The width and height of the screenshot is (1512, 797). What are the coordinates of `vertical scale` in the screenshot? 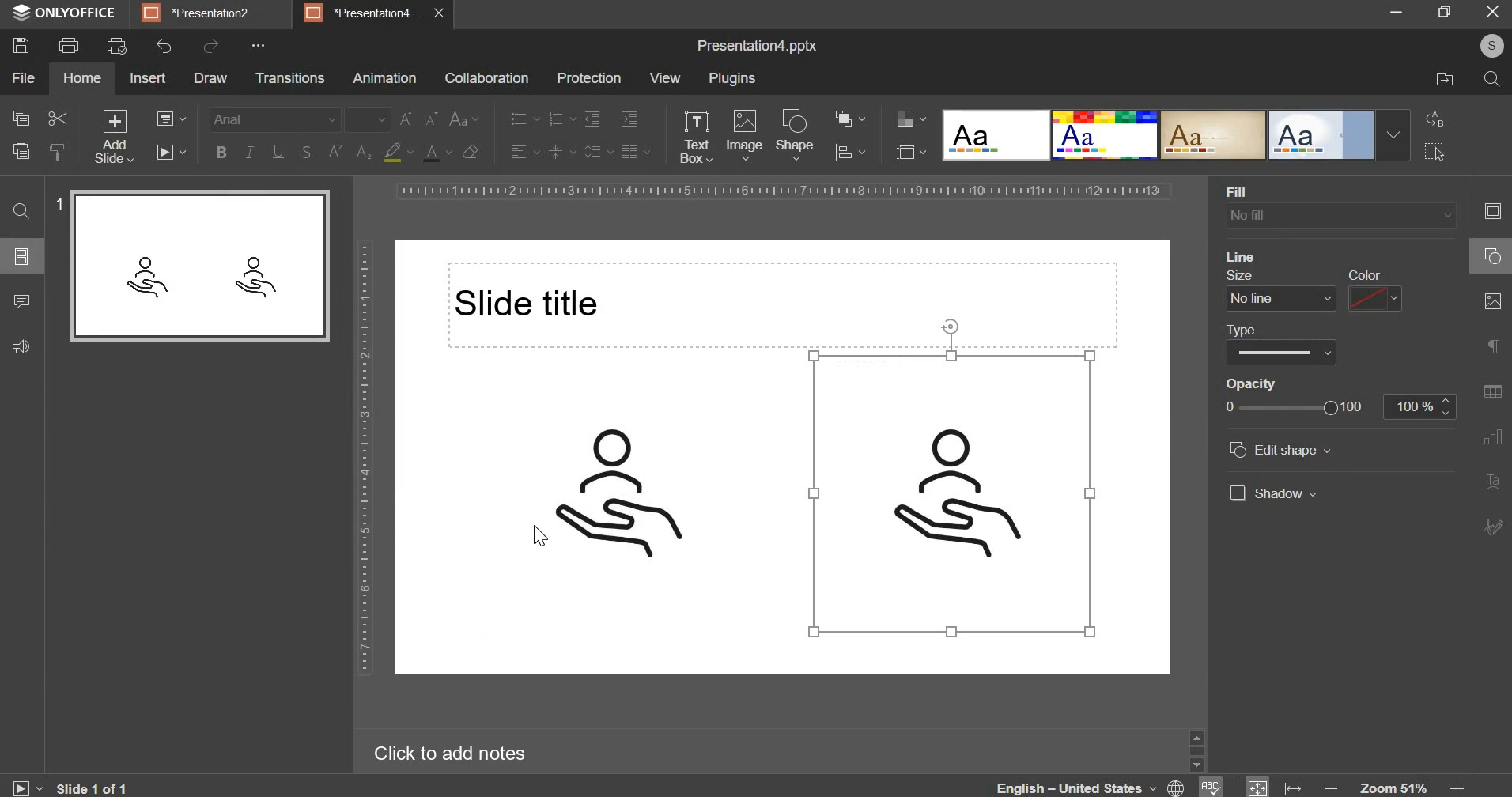 It's located at (363, 460).